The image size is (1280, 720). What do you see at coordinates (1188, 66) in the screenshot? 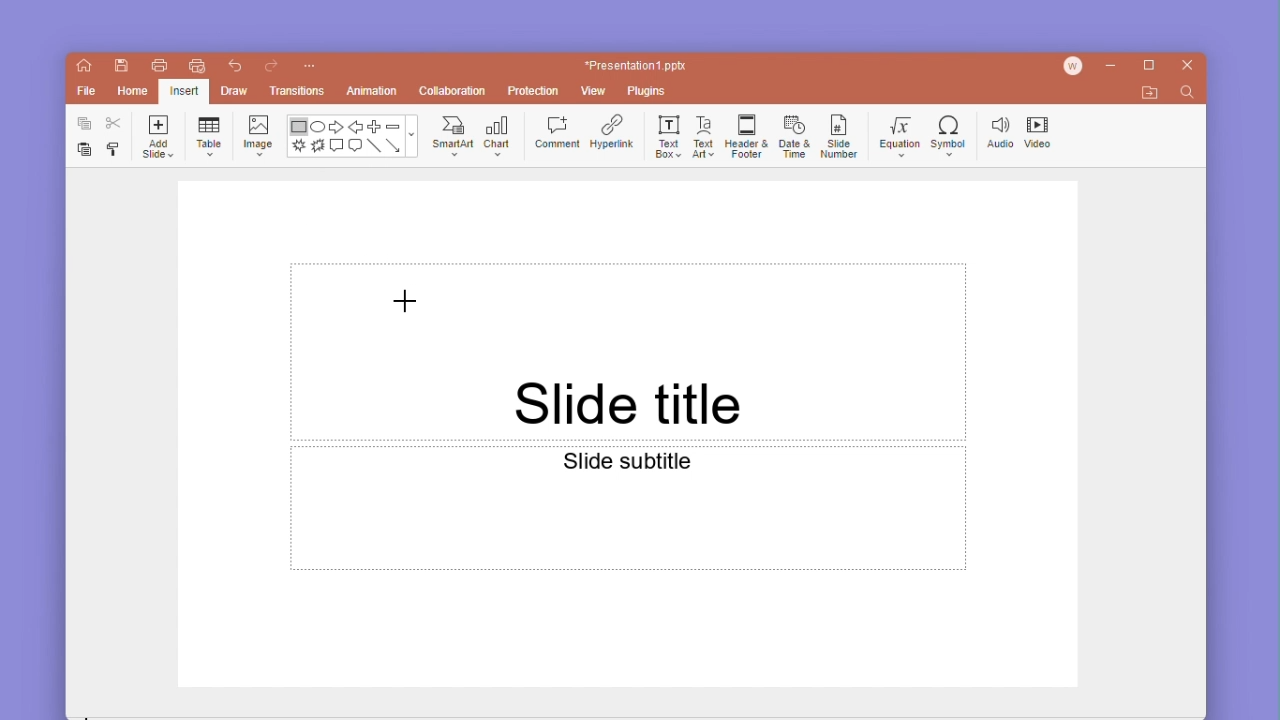
I see `close` at bounding box center [1188, 66].